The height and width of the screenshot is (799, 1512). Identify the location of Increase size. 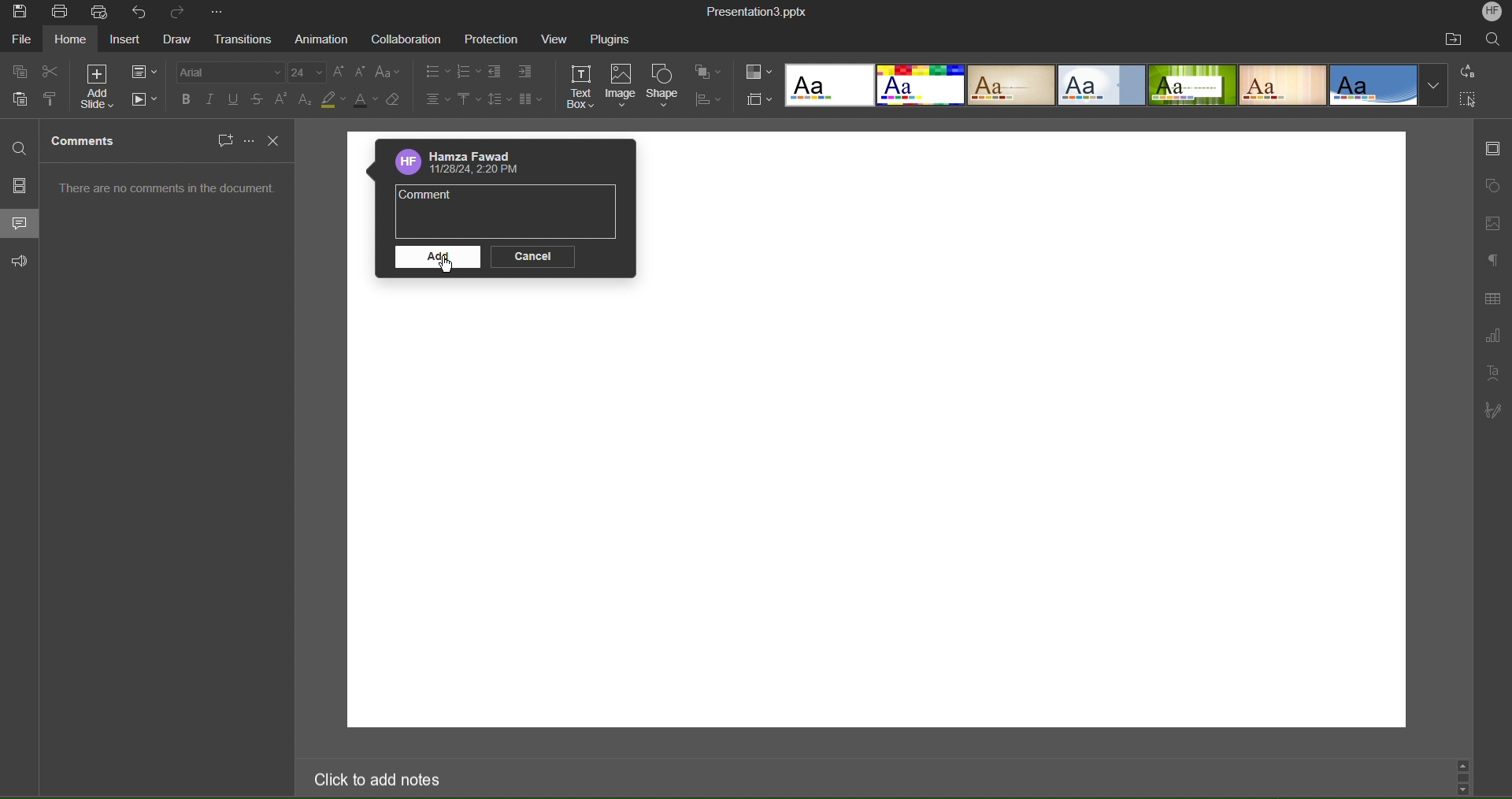
(339, 73).